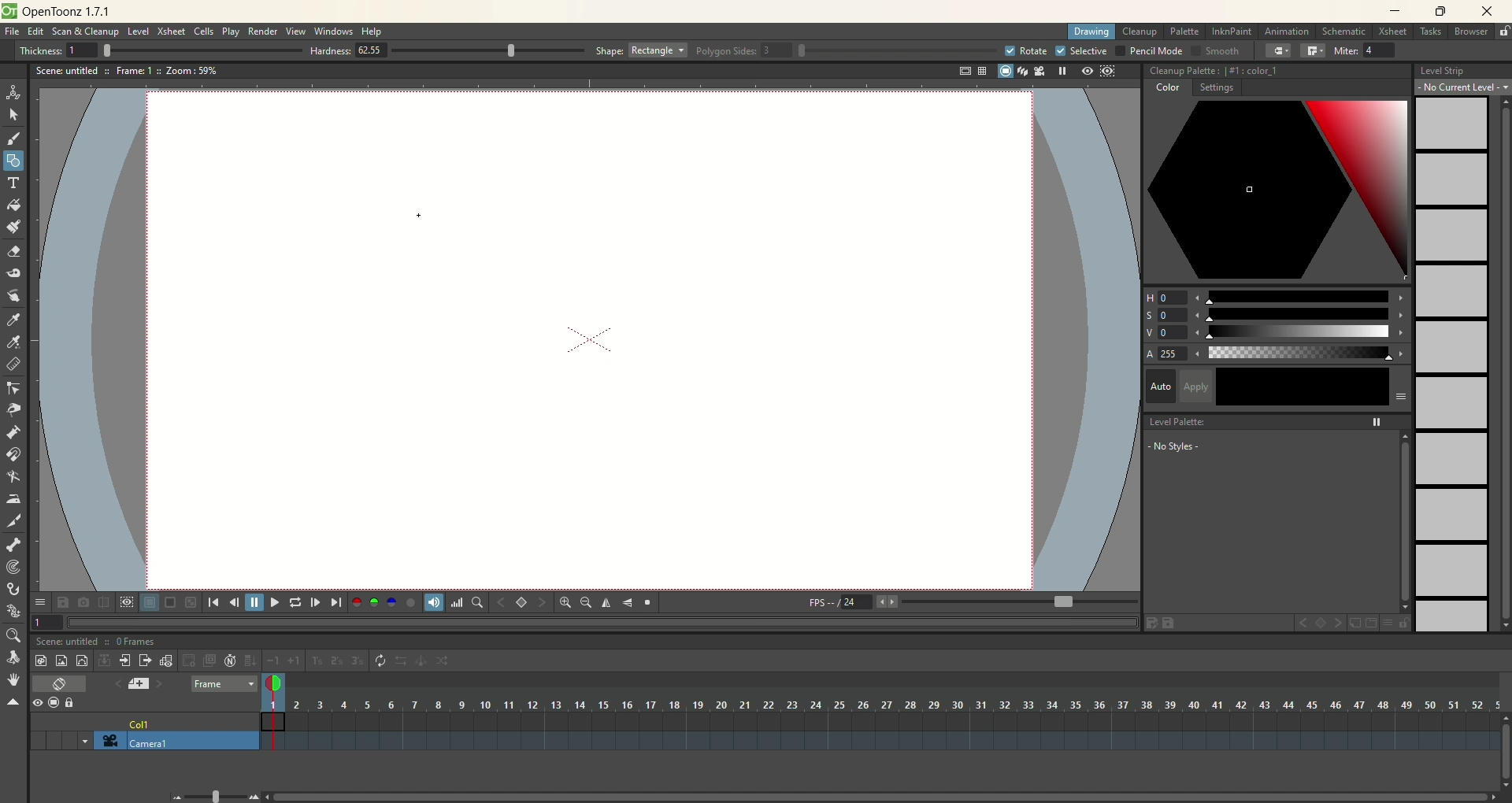 The width and height of the screenshot is (1512, 803). Describe the element at coordinates (13, 273) in the screenshot. I see `tape tool` at that location.